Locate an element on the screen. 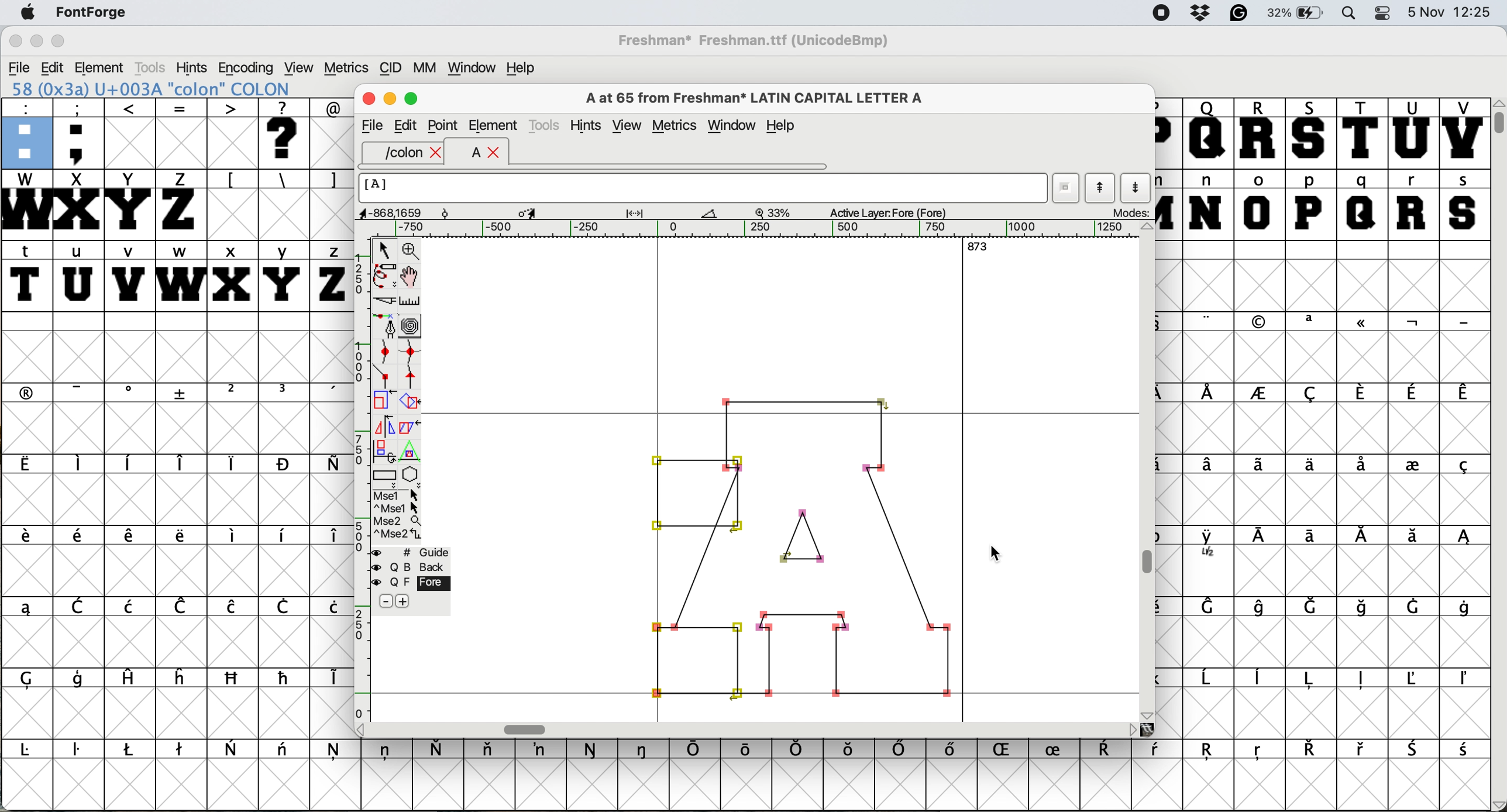 This screenshot has width=1507, height=812. x is located at coordinates (231, 276).